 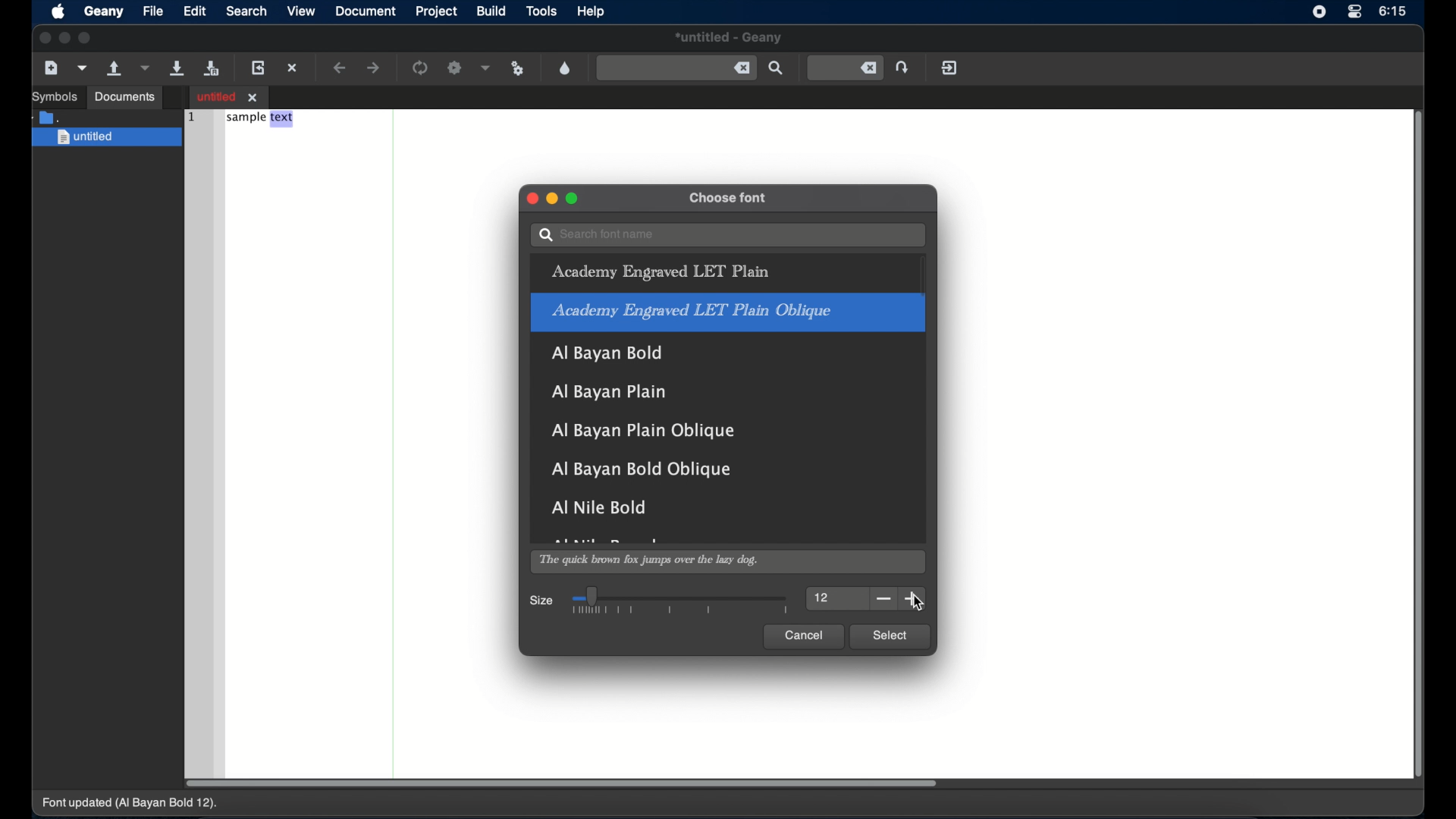 I want to click on find the entered text in the current file, so click(x=777, y=68).